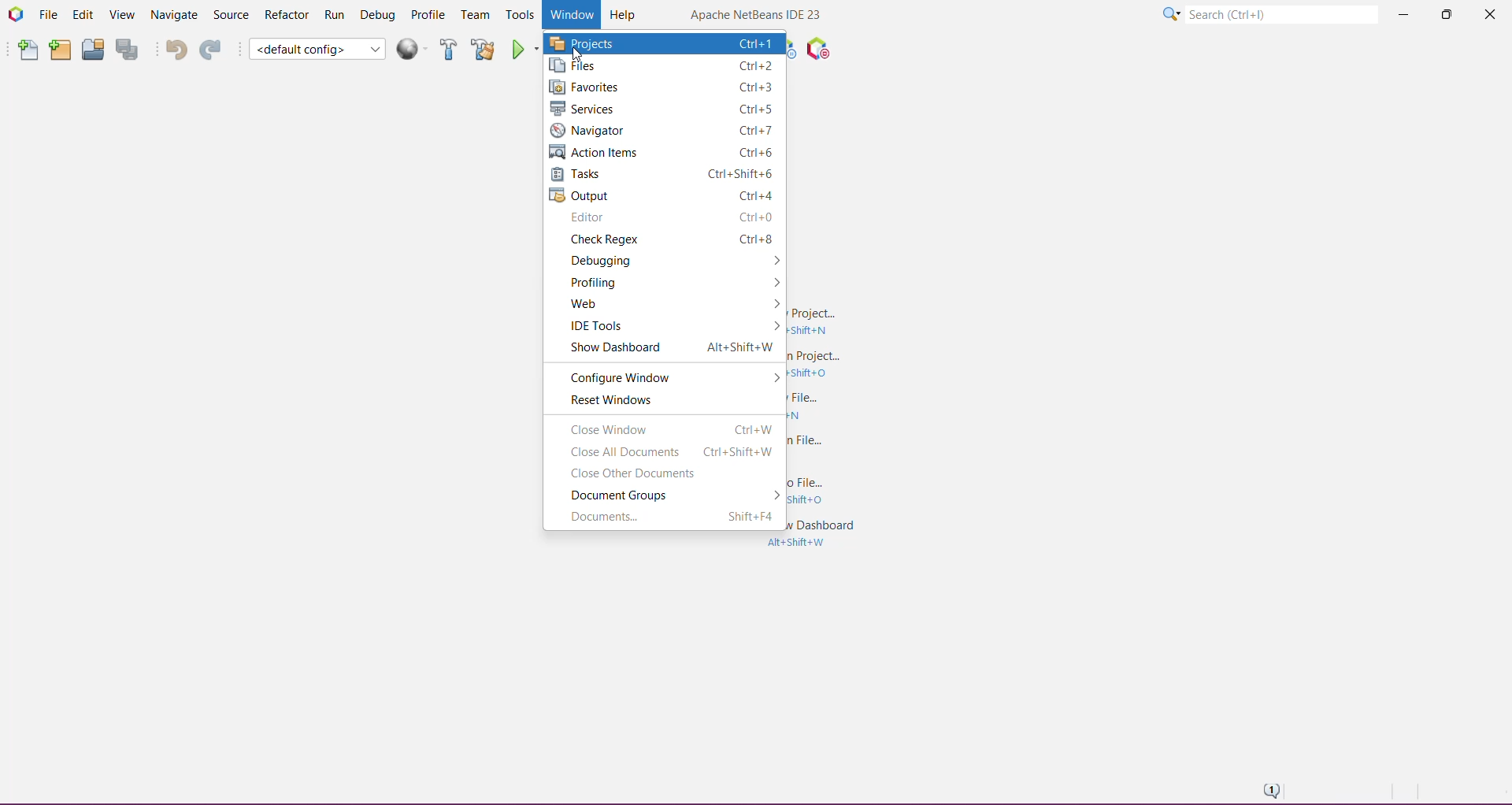  What do you see at coordinates (48, 14) in the screenshot?
I see `File` at bounding box center [48, 14].